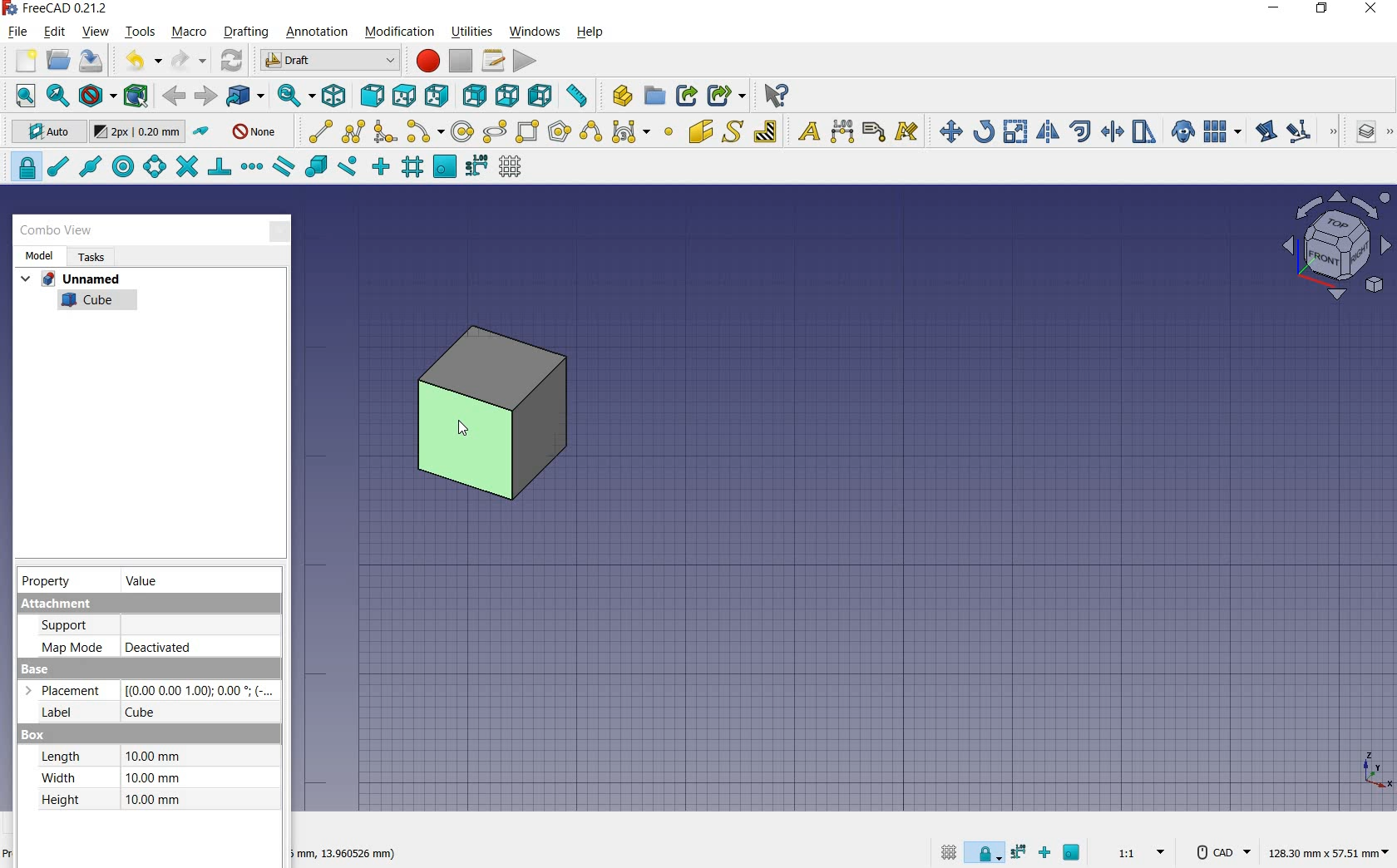 This screenshot has width=1397, height=868. Describe the element at coordinates (316, 131) in the screenshot. I see `line` at that location.